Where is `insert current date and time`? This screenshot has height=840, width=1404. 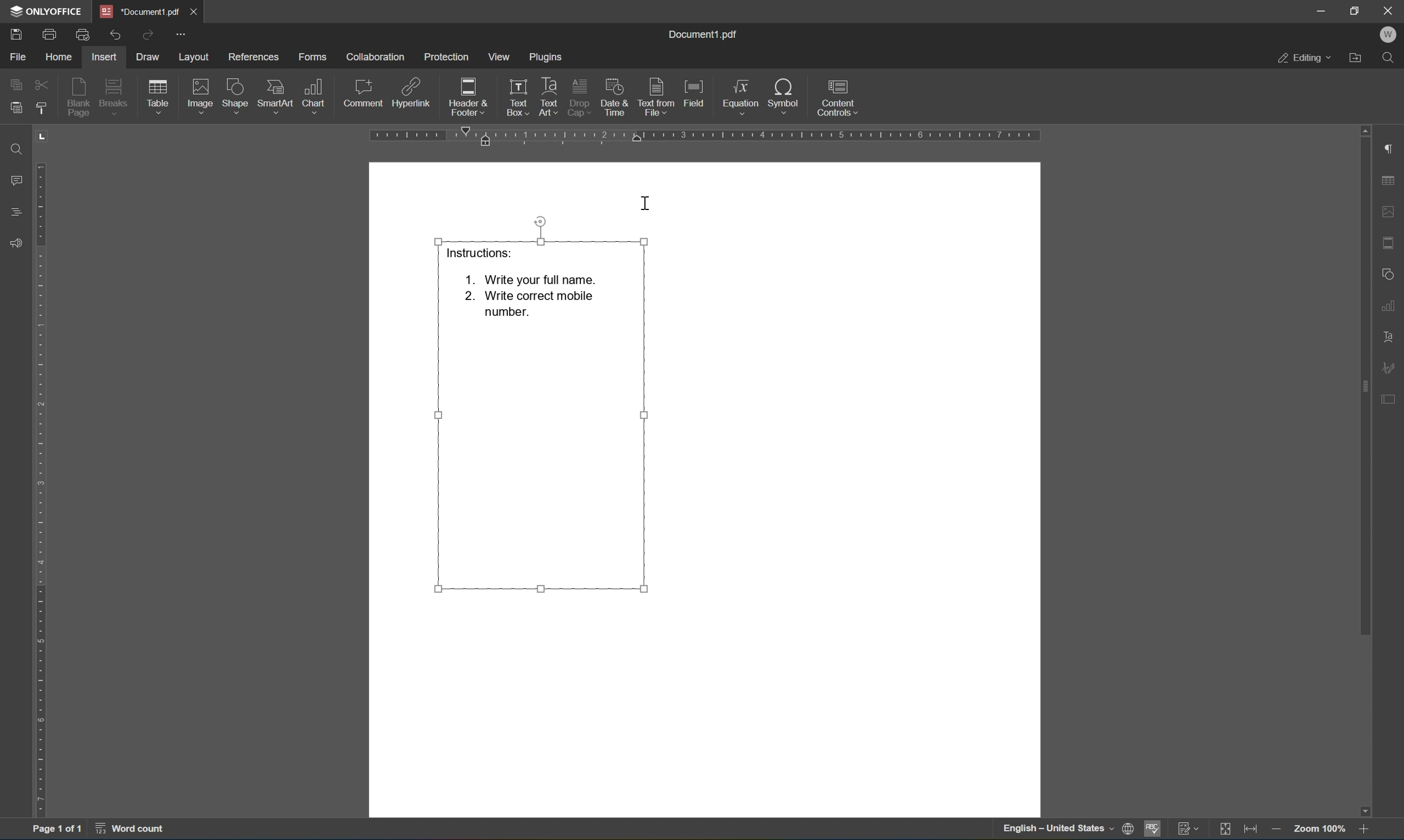
insert current date and time is located at coordinates (613, 96).